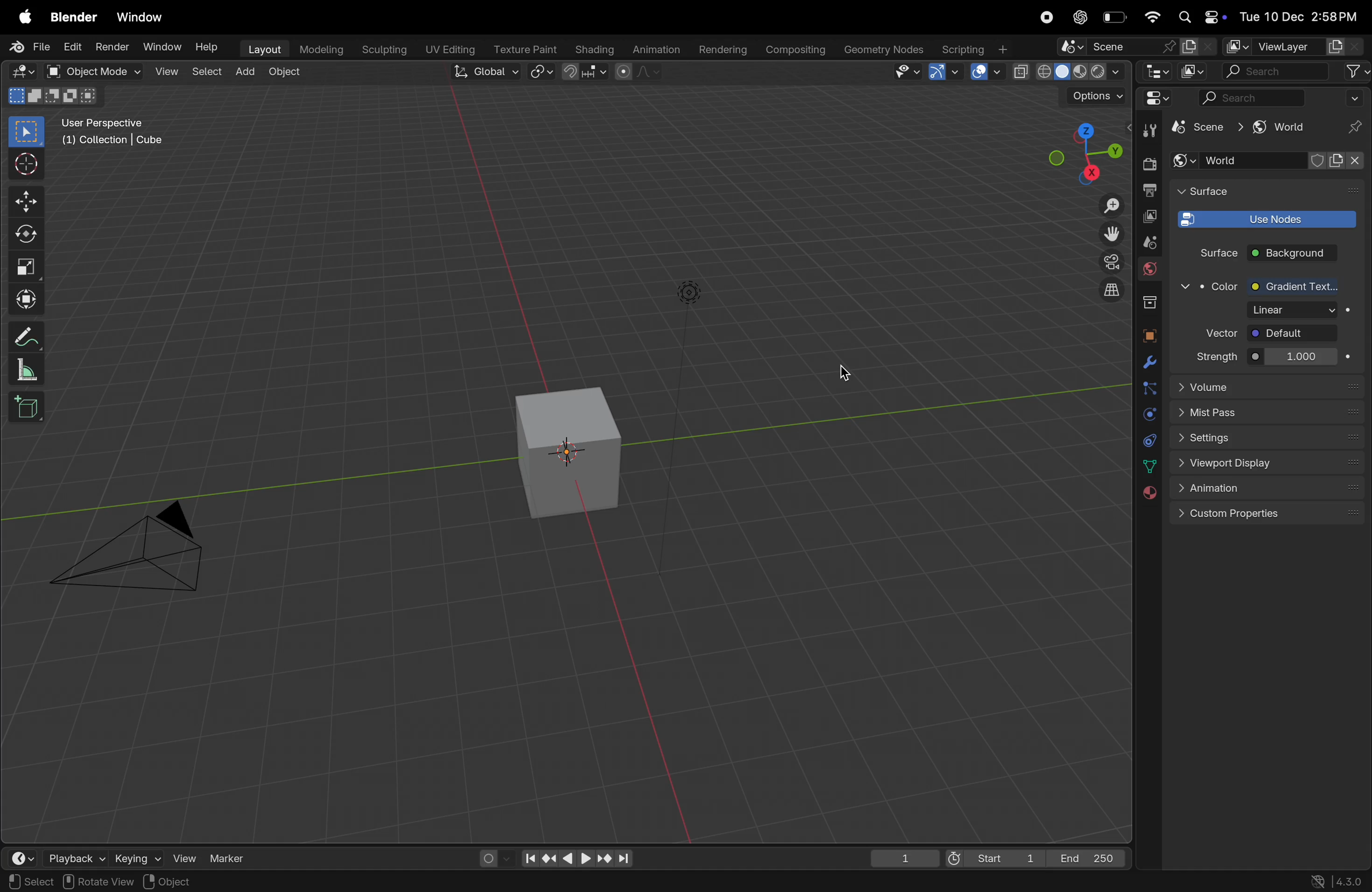  Describe the element at coordinates (1201, 16) in the screenshot. I see `Apple widgets` at that location.